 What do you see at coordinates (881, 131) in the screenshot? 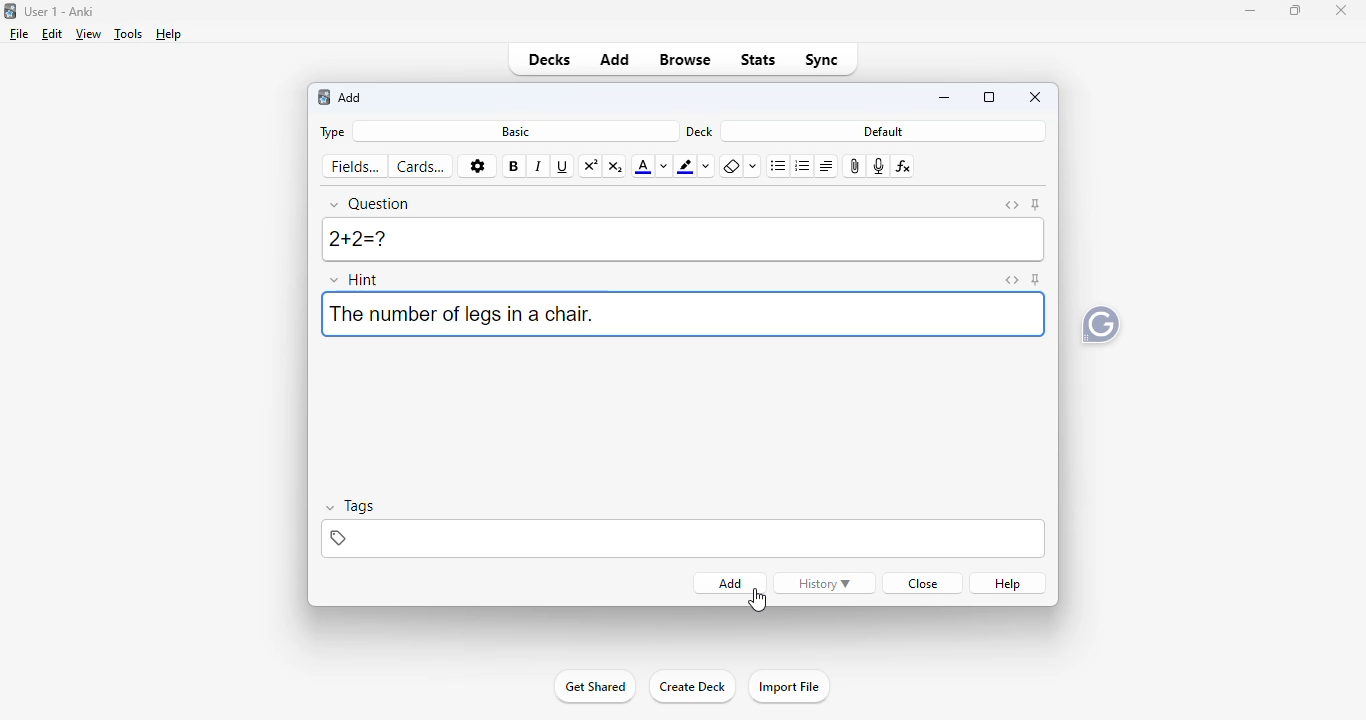
I see `default` at bounding box center [881, 131].